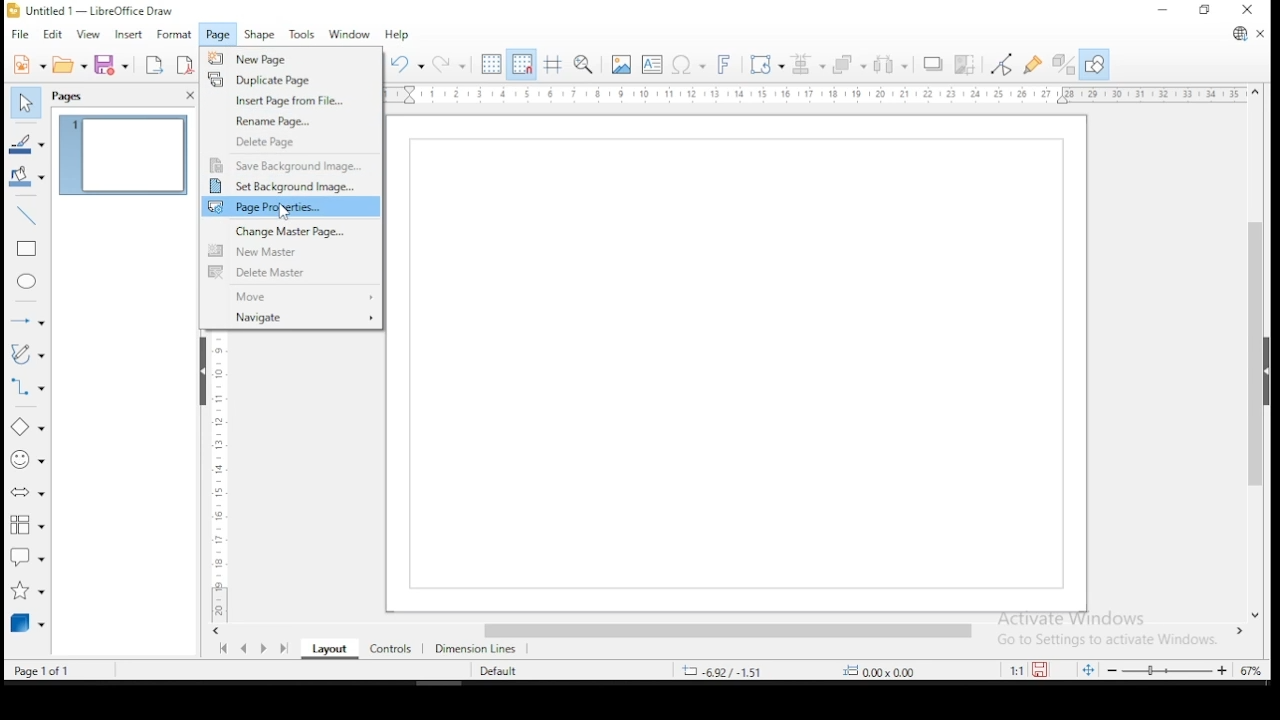 The height and width of the screenshot is (720, 1280). What do you see at coordinates (765, 66) in the screenshot?
I see `transformations` at bounding box center [765, 66].